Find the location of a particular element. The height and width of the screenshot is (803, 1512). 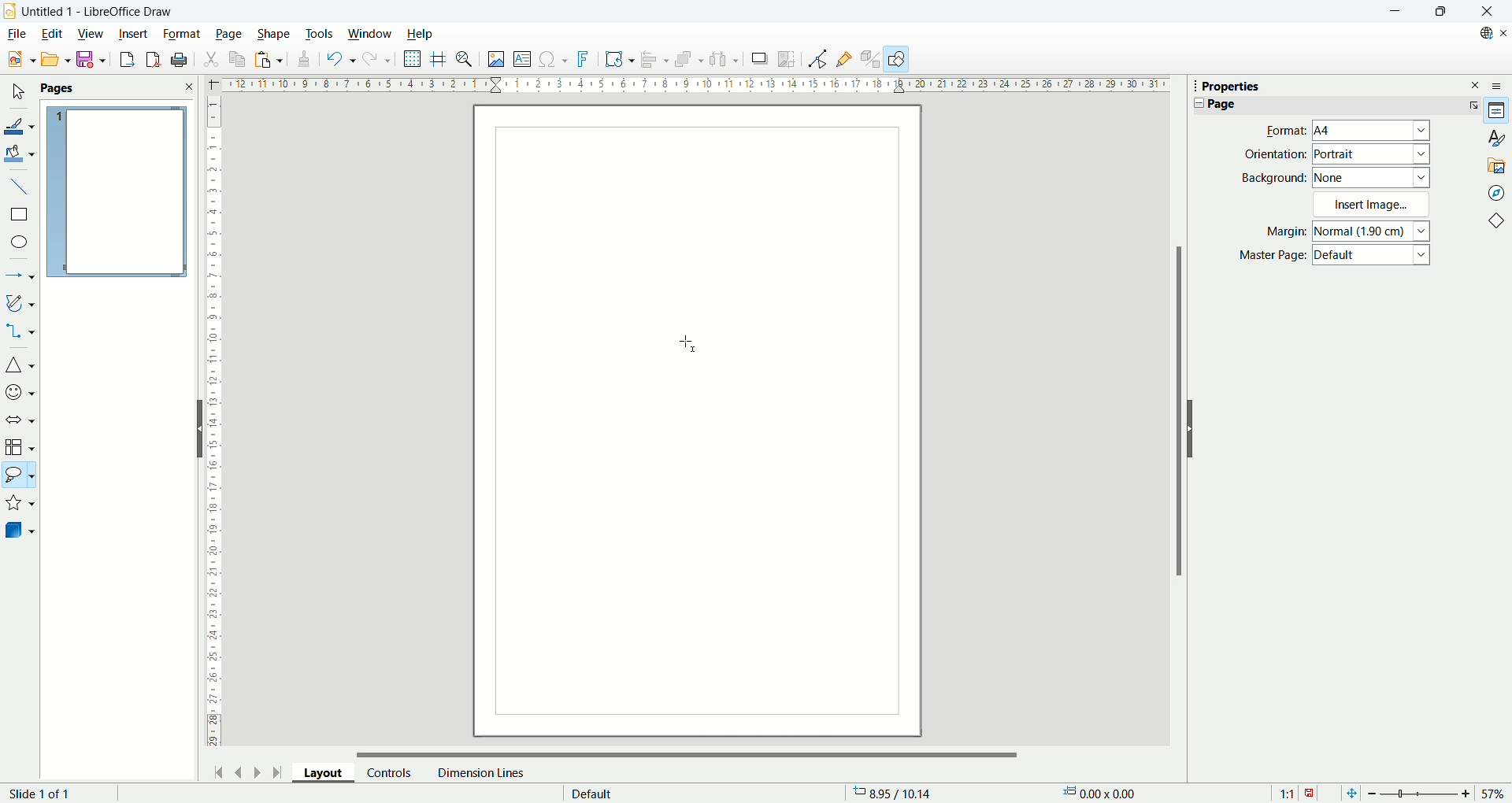

Close sidebar deck is located at coordinates (1476, 84).